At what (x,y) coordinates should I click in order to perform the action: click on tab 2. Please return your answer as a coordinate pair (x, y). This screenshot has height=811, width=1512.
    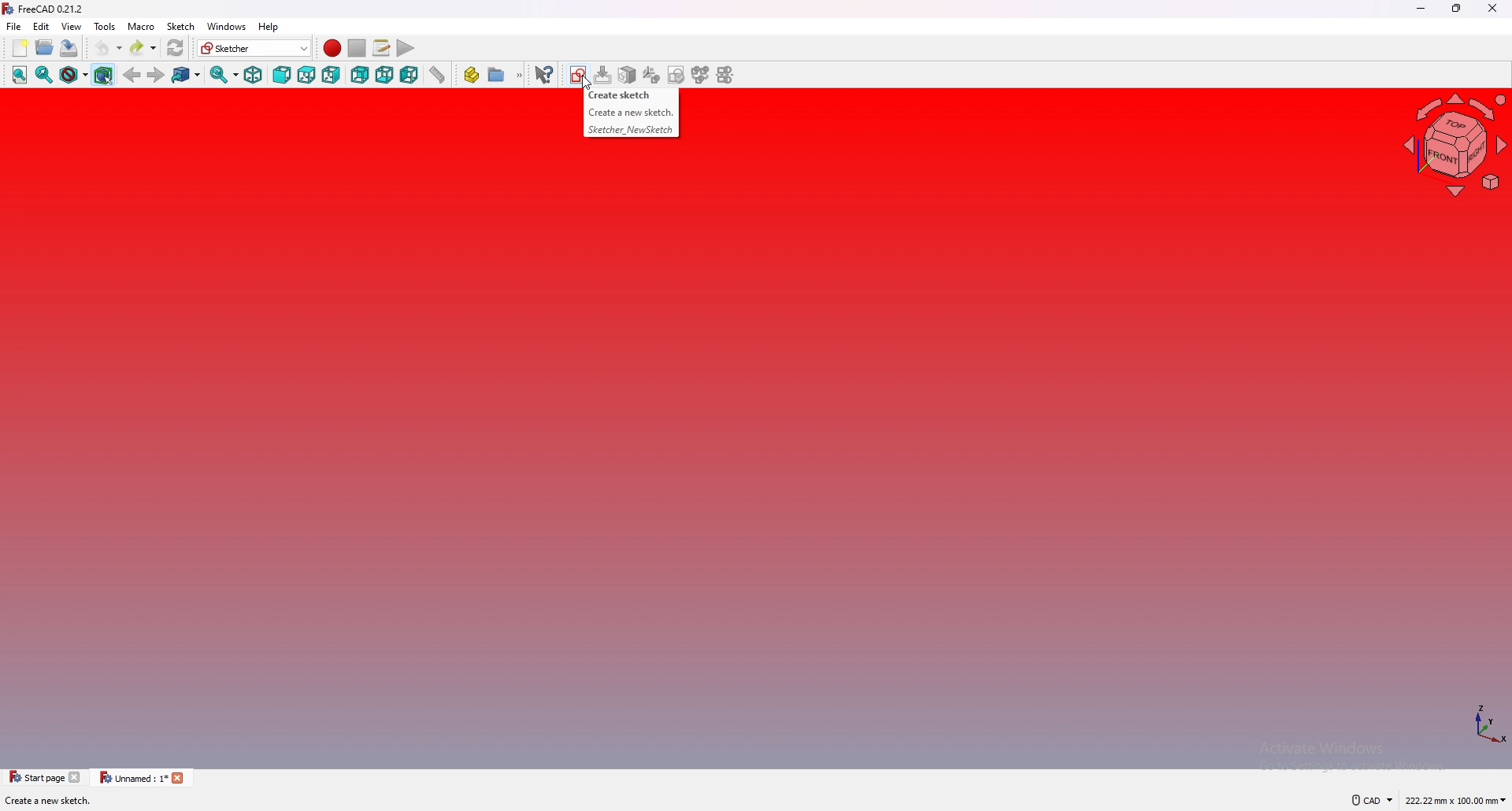
    Looking at the image, I should click on (143, 779).